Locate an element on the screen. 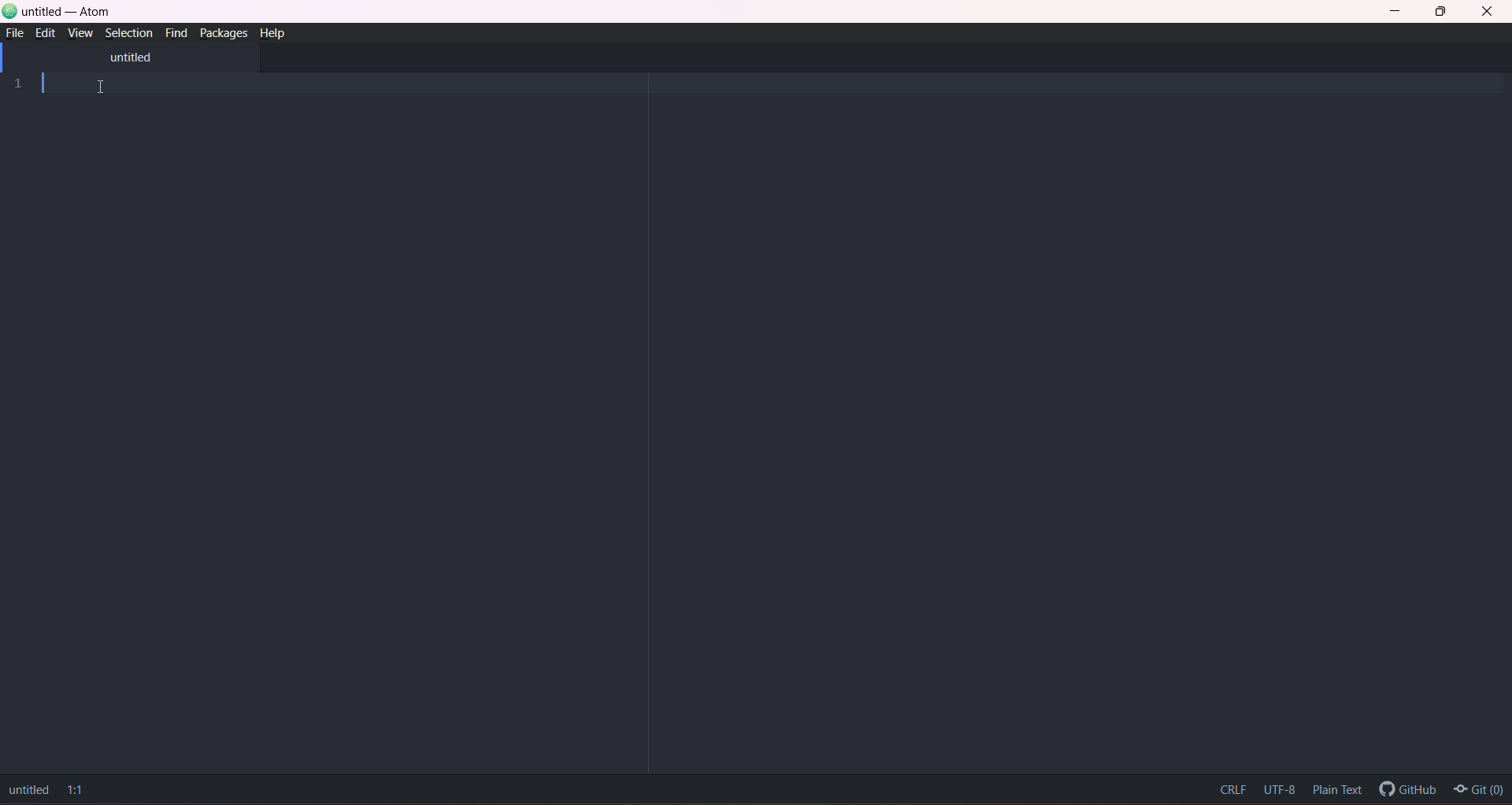  Close is located at coordinates (1488, 13).